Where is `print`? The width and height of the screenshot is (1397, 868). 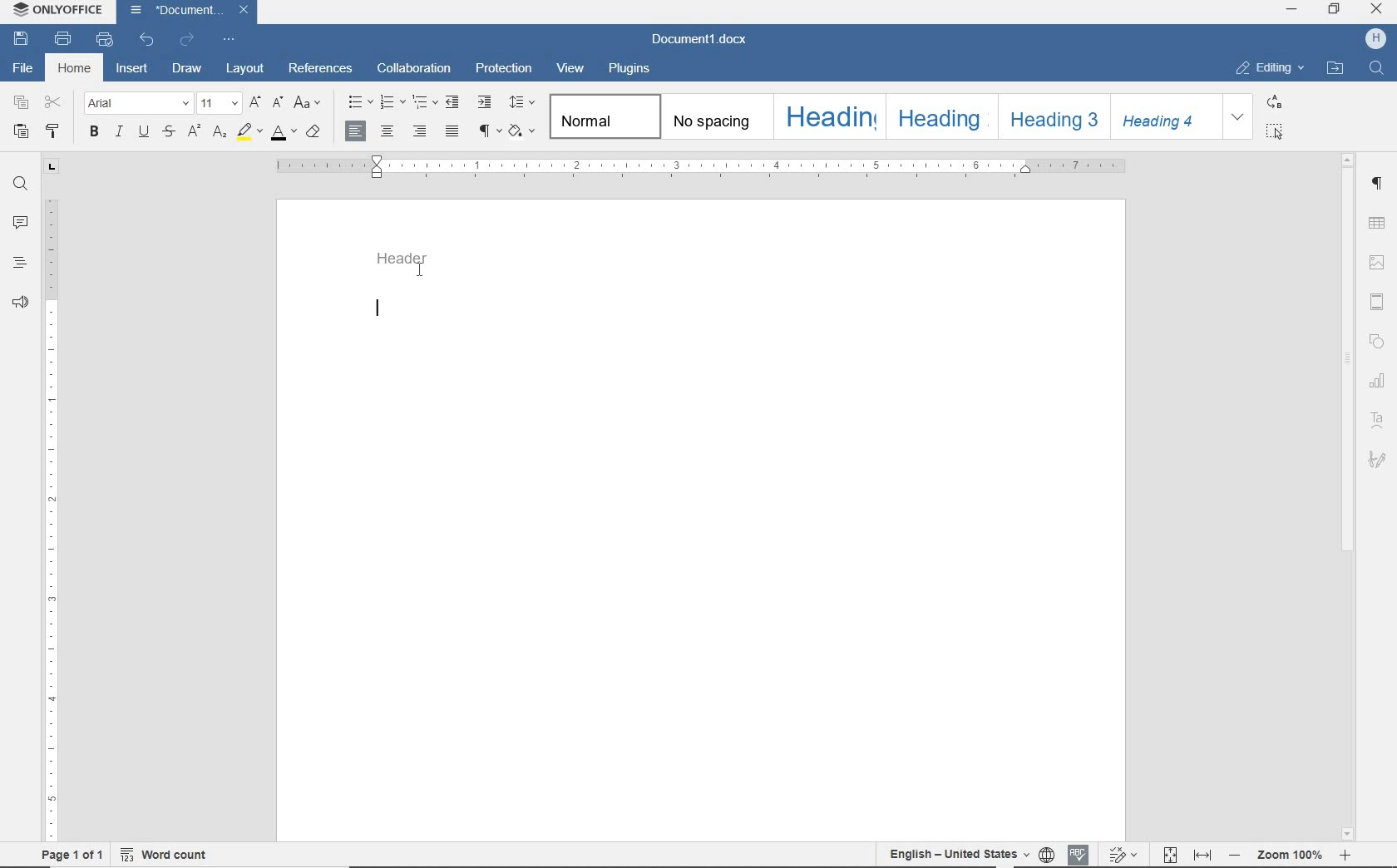
print is located at coordinates (66, 40).